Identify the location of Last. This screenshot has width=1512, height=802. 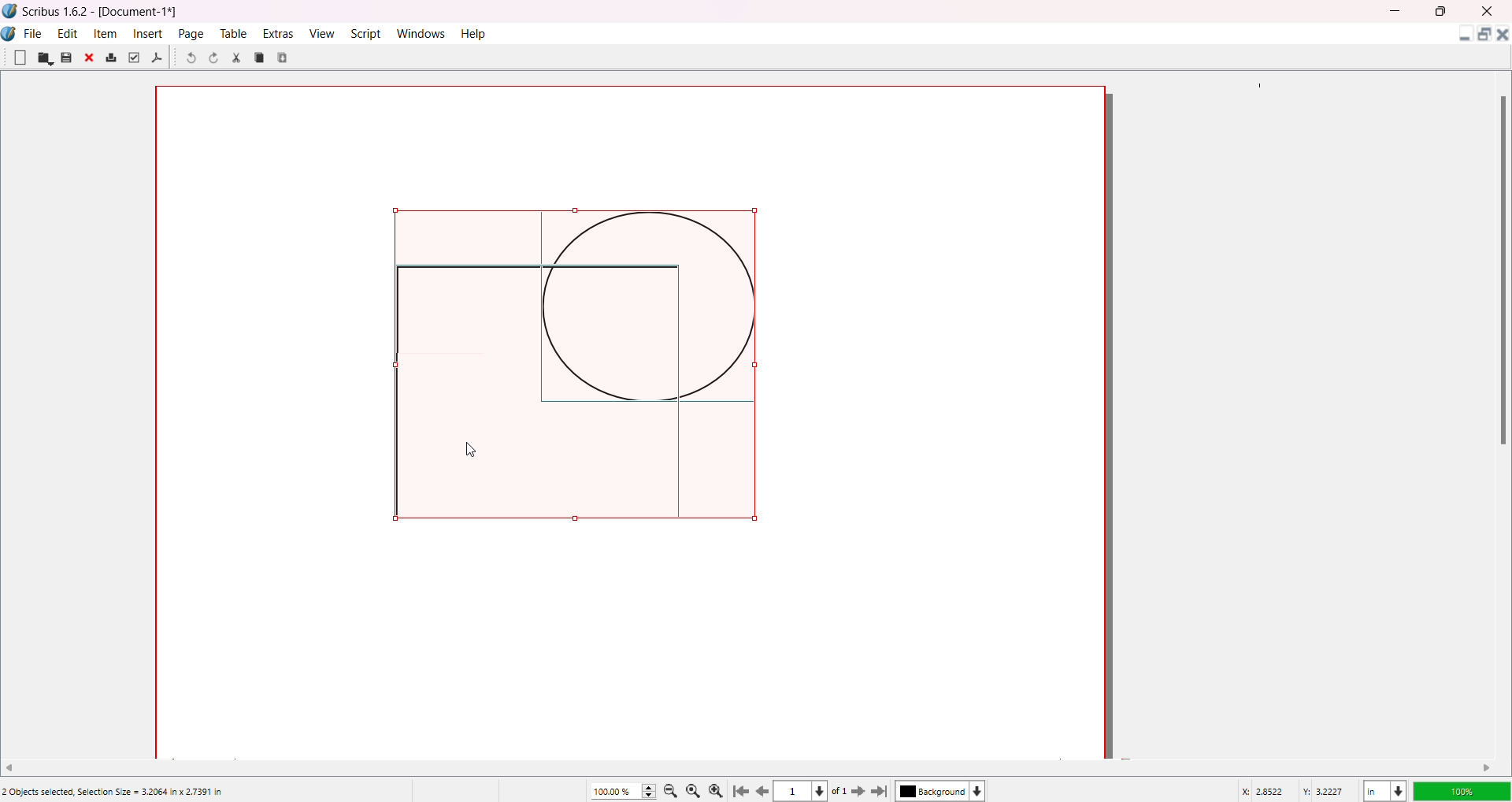
(881, 790).